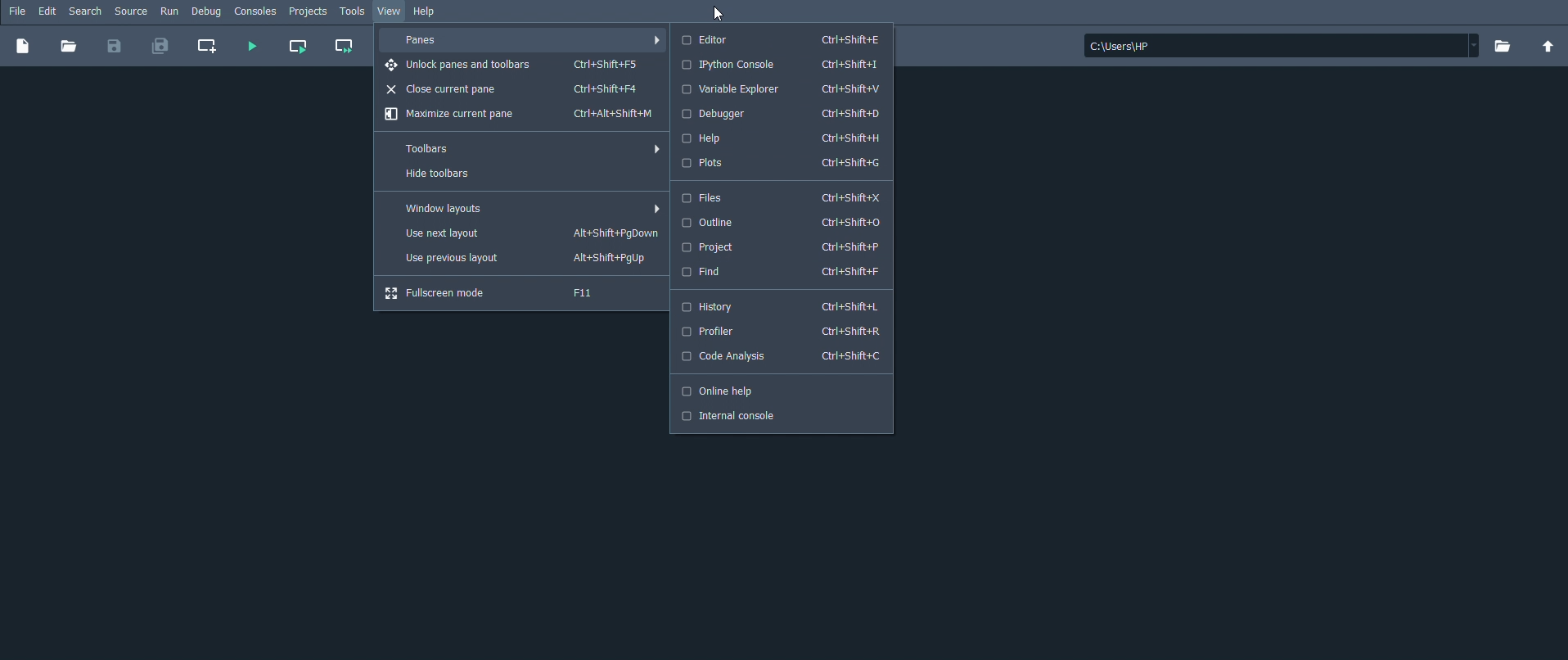  Describe the element at coordinates (428, 12) in the screenshot. I see `Help` at that location.